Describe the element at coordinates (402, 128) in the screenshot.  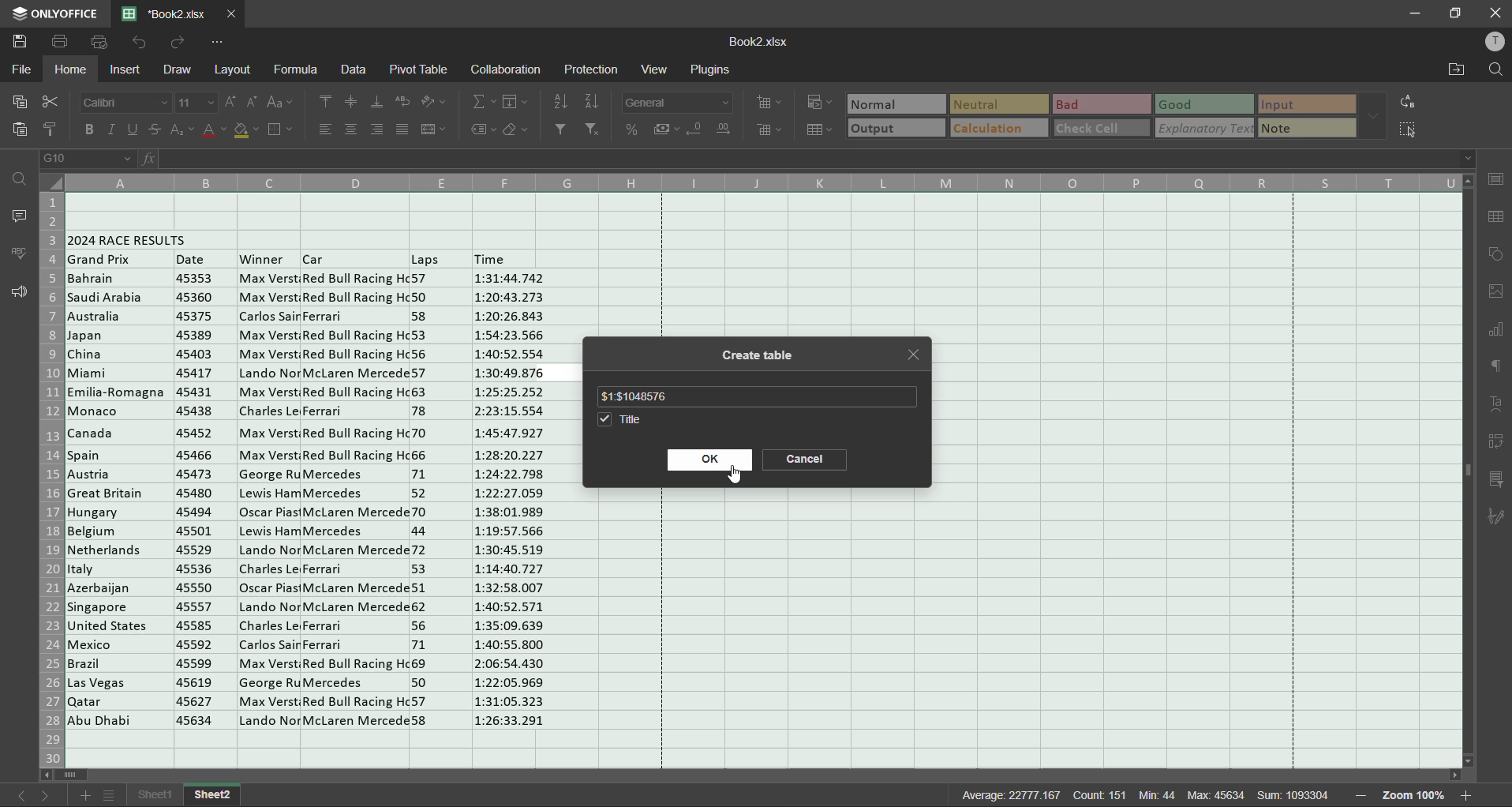
I see `justified` at that location.